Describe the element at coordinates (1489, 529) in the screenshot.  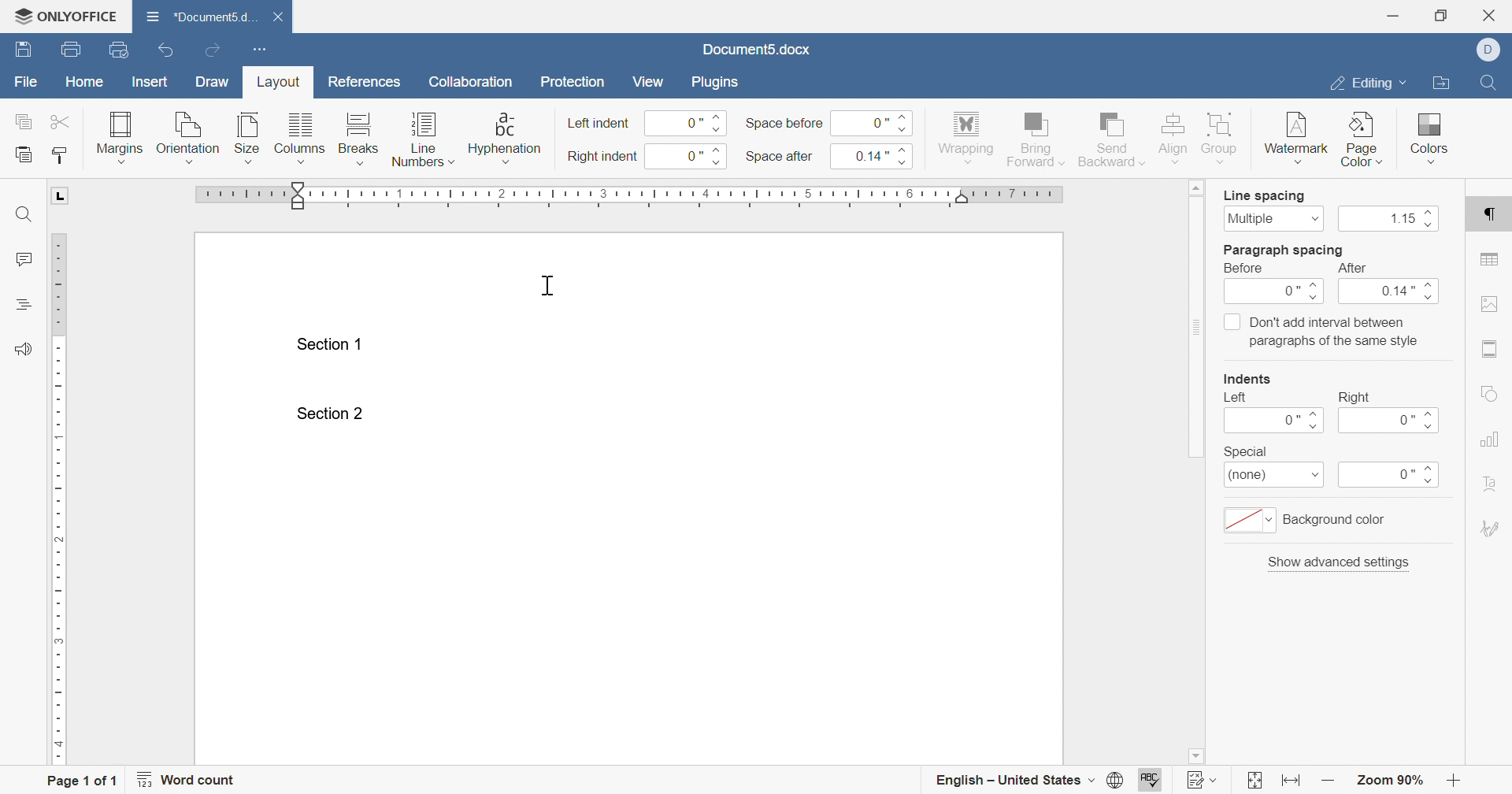
I see `signature settings` at that location.